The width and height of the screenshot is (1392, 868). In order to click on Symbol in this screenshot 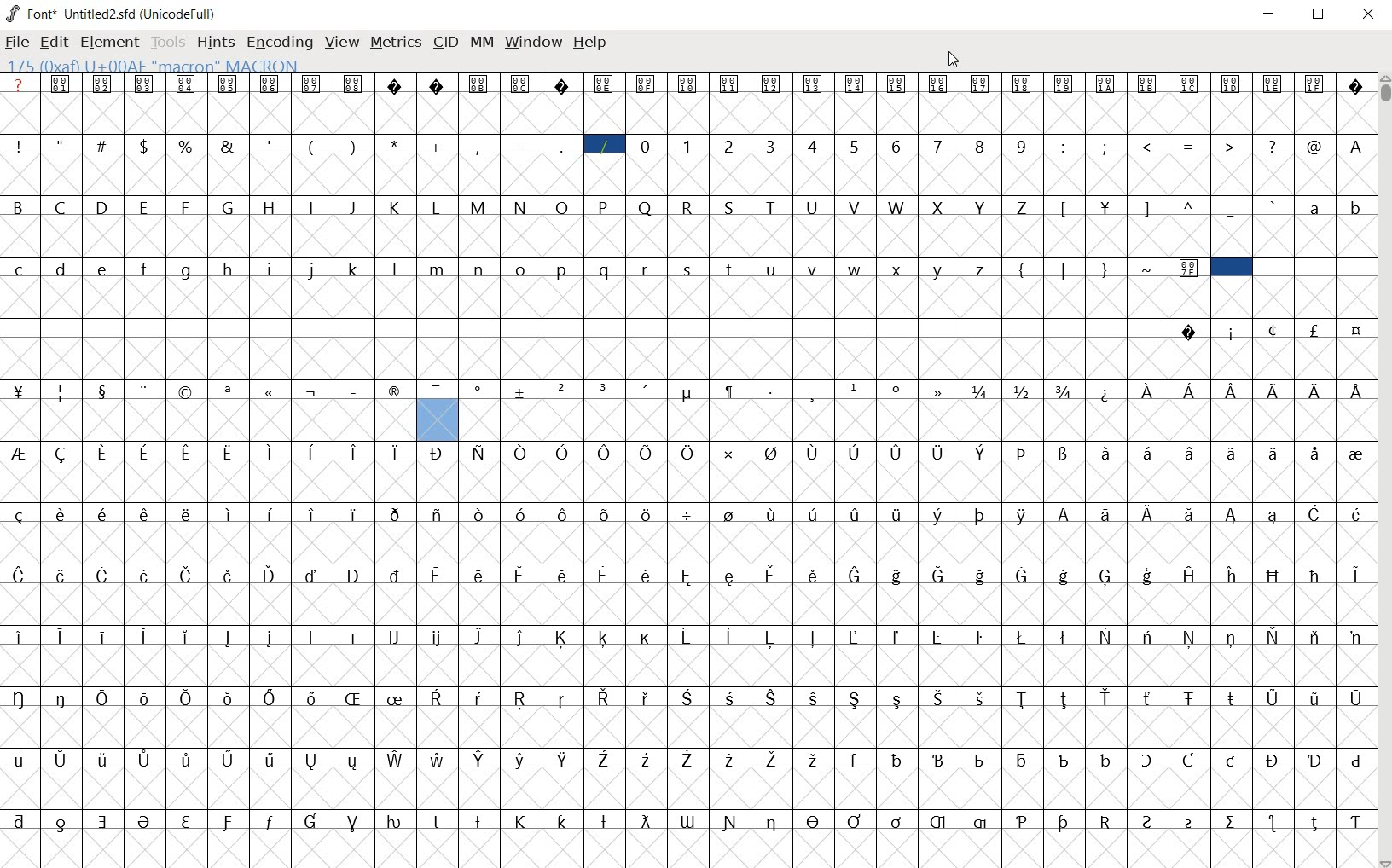, I will do `click(983, 391)`.